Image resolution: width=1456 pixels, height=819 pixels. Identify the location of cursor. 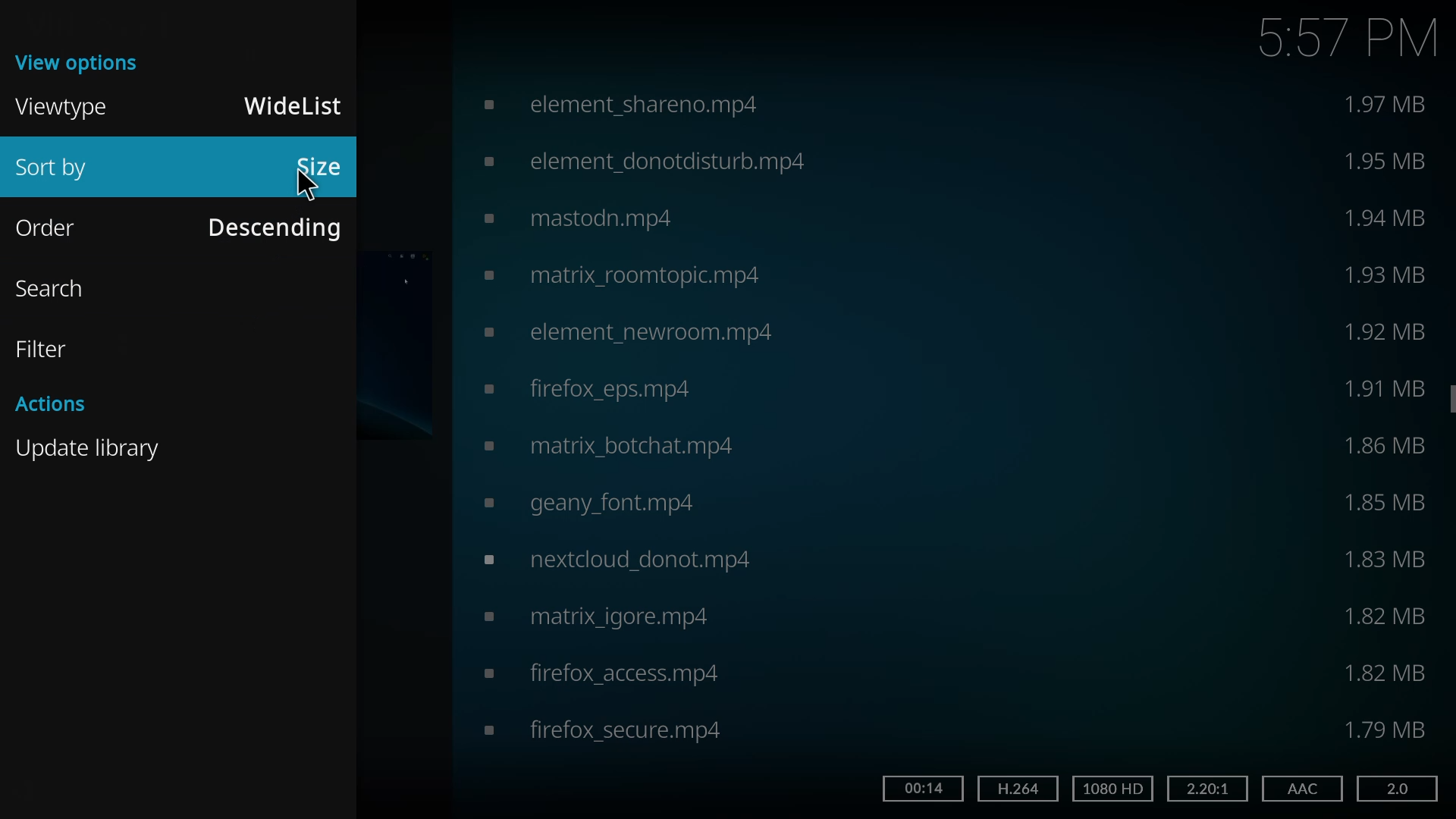
(307, 184).